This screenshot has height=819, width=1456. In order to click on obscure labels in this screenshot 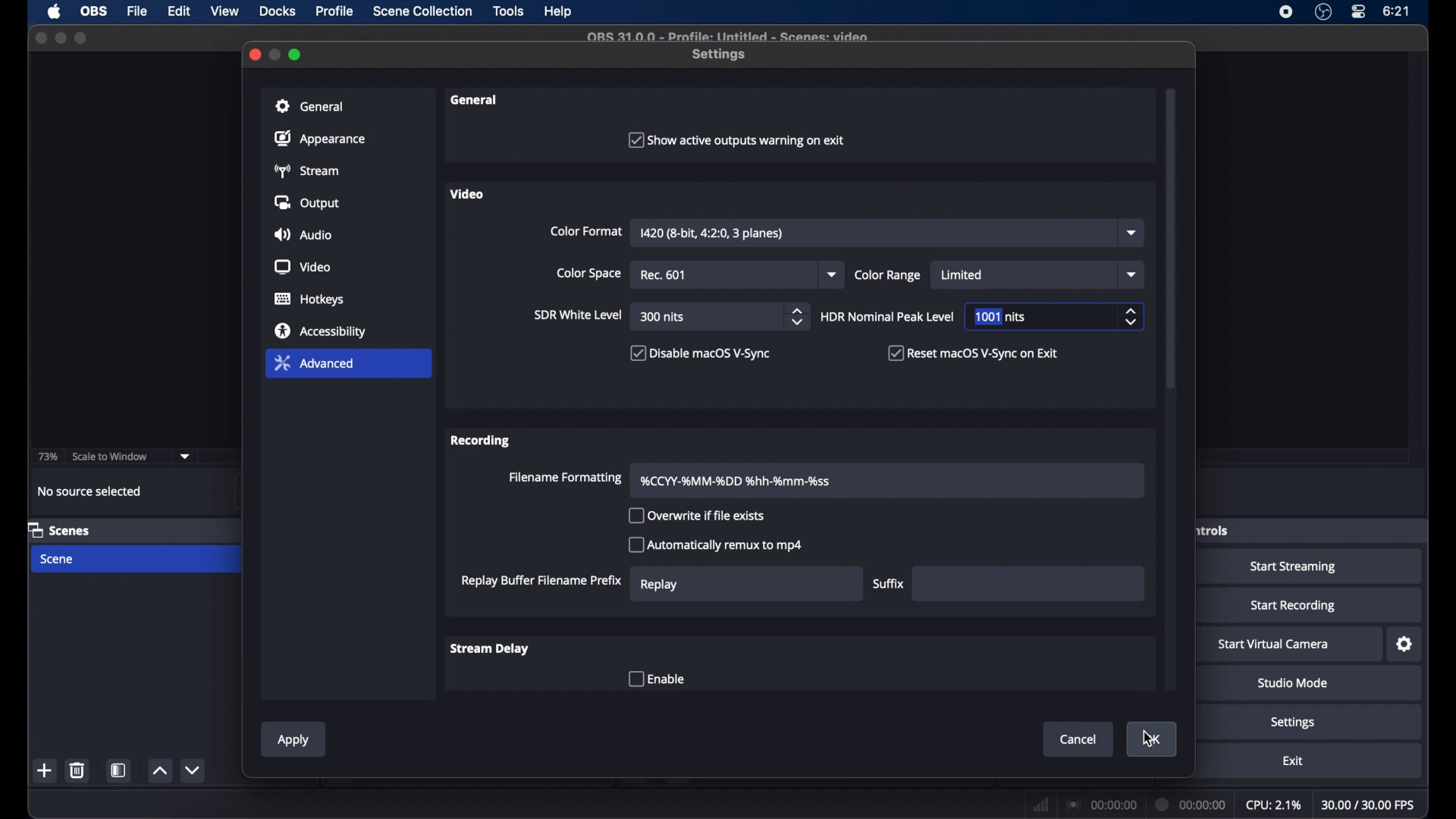, I will do `click(1213, 530)`.